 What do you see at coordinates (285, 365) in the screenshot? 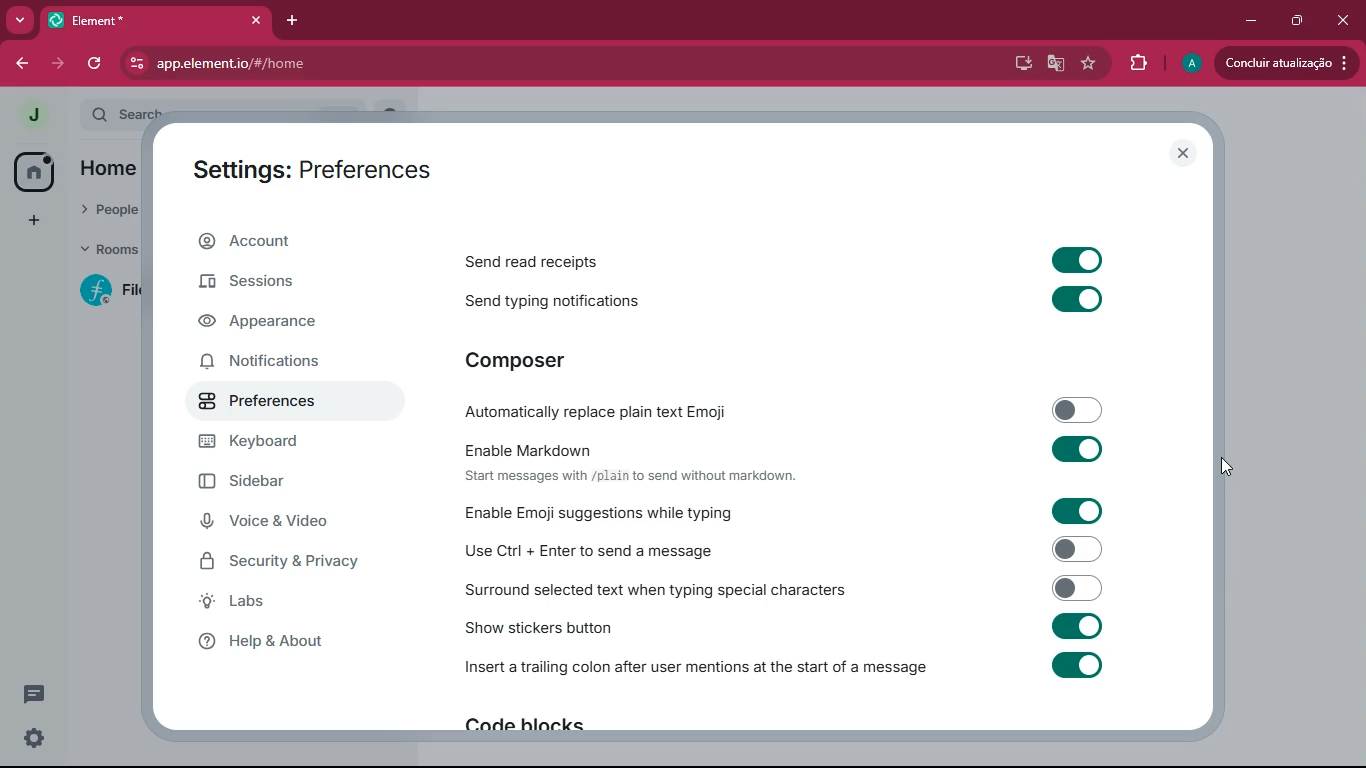
I see `notifications` at bounding box center [285, 365].